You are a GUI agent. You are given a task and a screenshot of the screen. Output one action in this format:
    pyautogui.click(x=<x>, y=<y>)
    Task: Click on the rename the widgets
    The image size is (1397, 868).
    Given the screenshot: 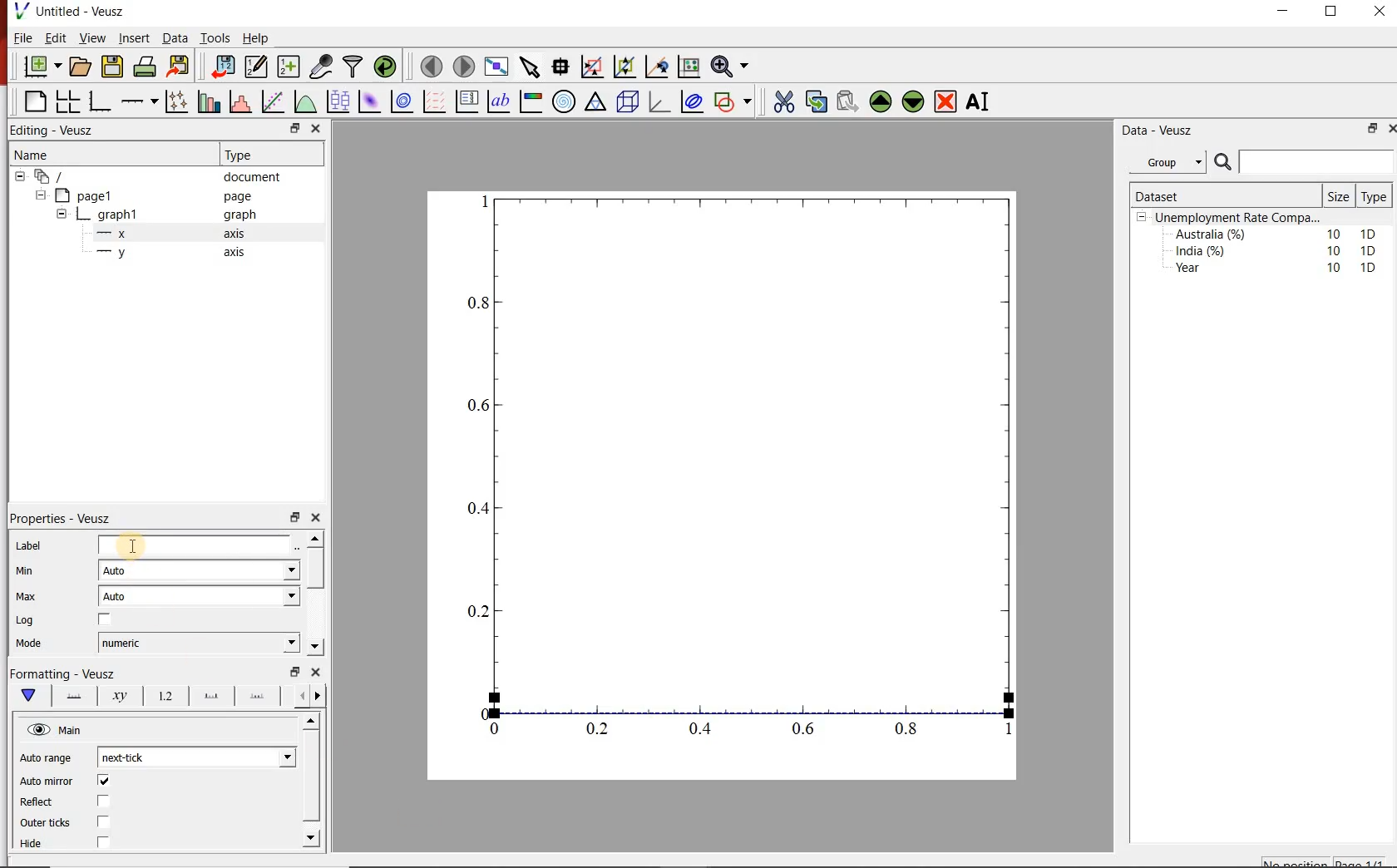 What is the action you would take?
    pyautogui.click(x=981, y=101)
    